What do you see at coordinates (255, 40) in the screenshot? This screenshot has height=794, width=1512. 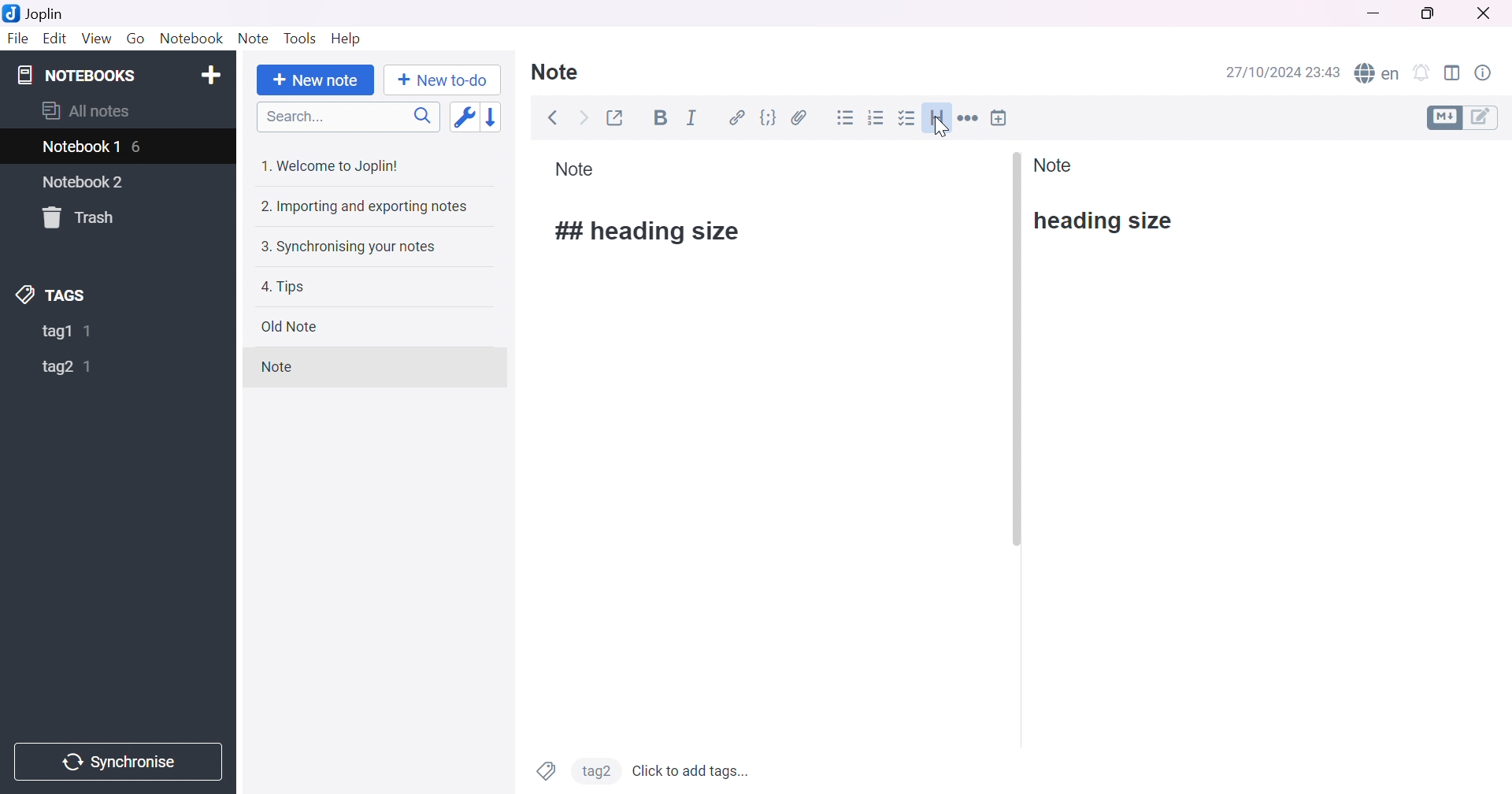 I see `Note` at bounding box center [255, 40].